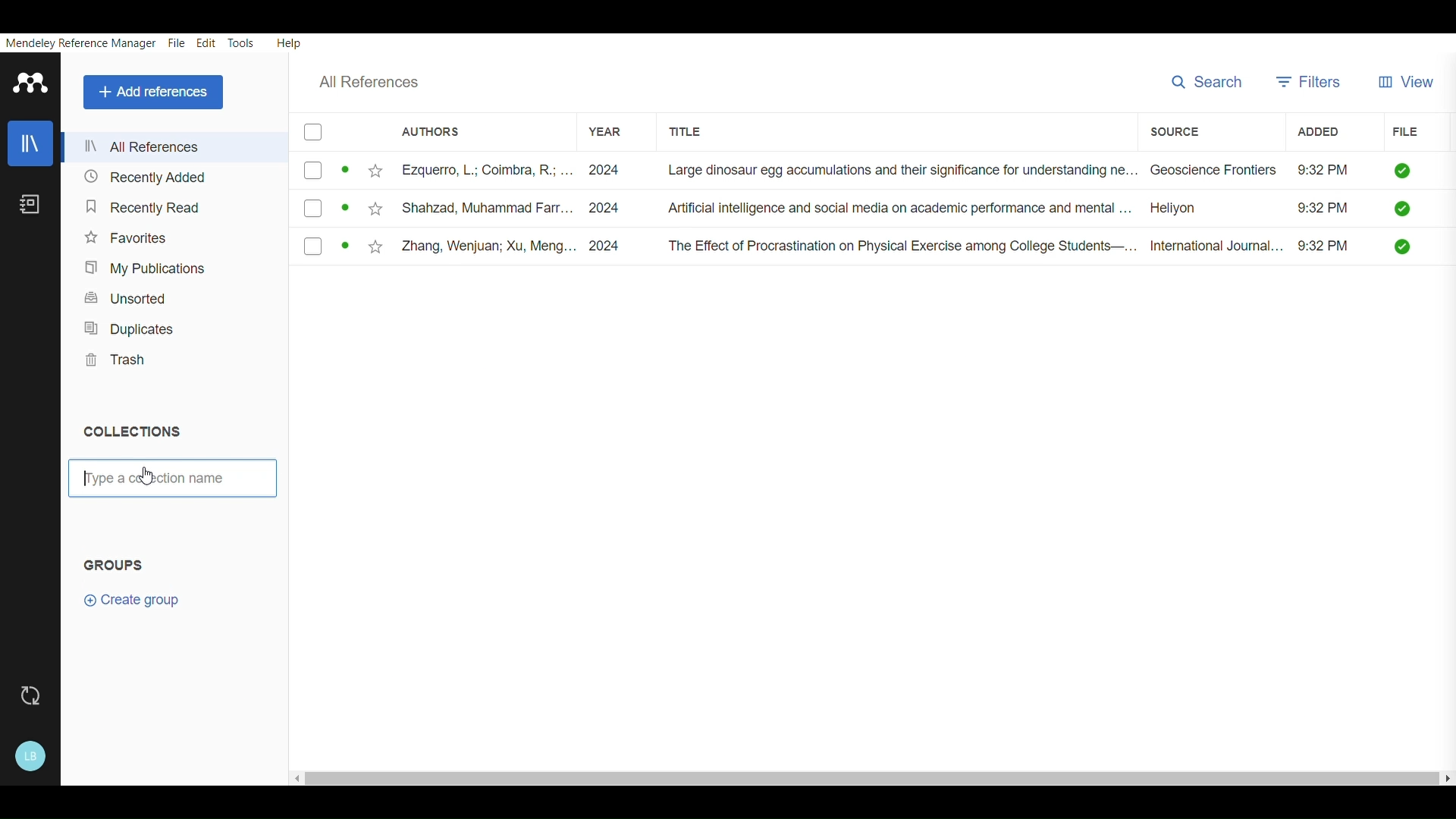 The width and height of the screenshot is (1456, 819). Describe the element at coordinates (205, 42) in the screenshot. I see `Edit` at that location.